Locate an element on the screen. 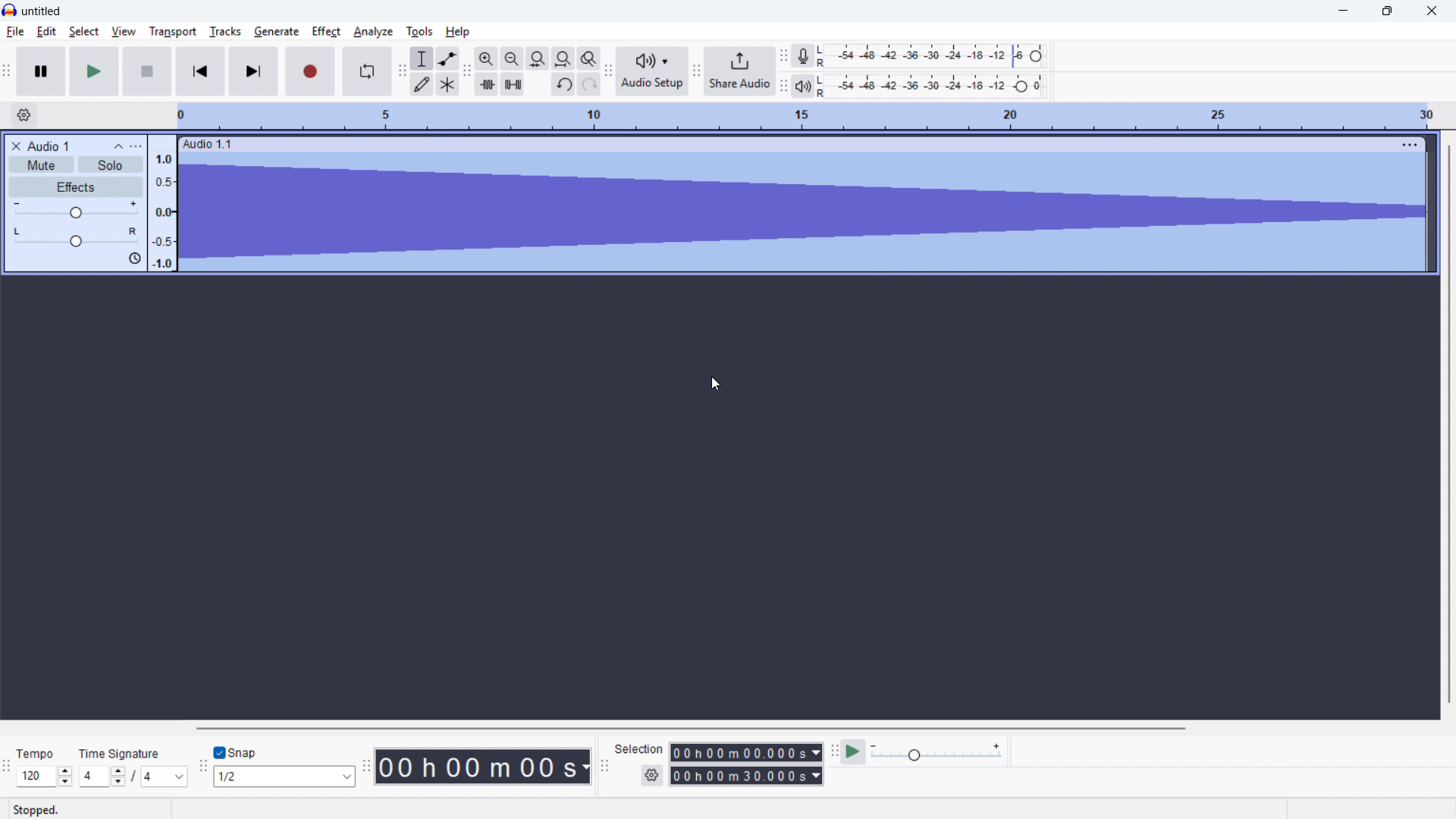 The width and height of the screenshot is (1456, 819). Silence audio selection  is located at coordinates (512, 83).